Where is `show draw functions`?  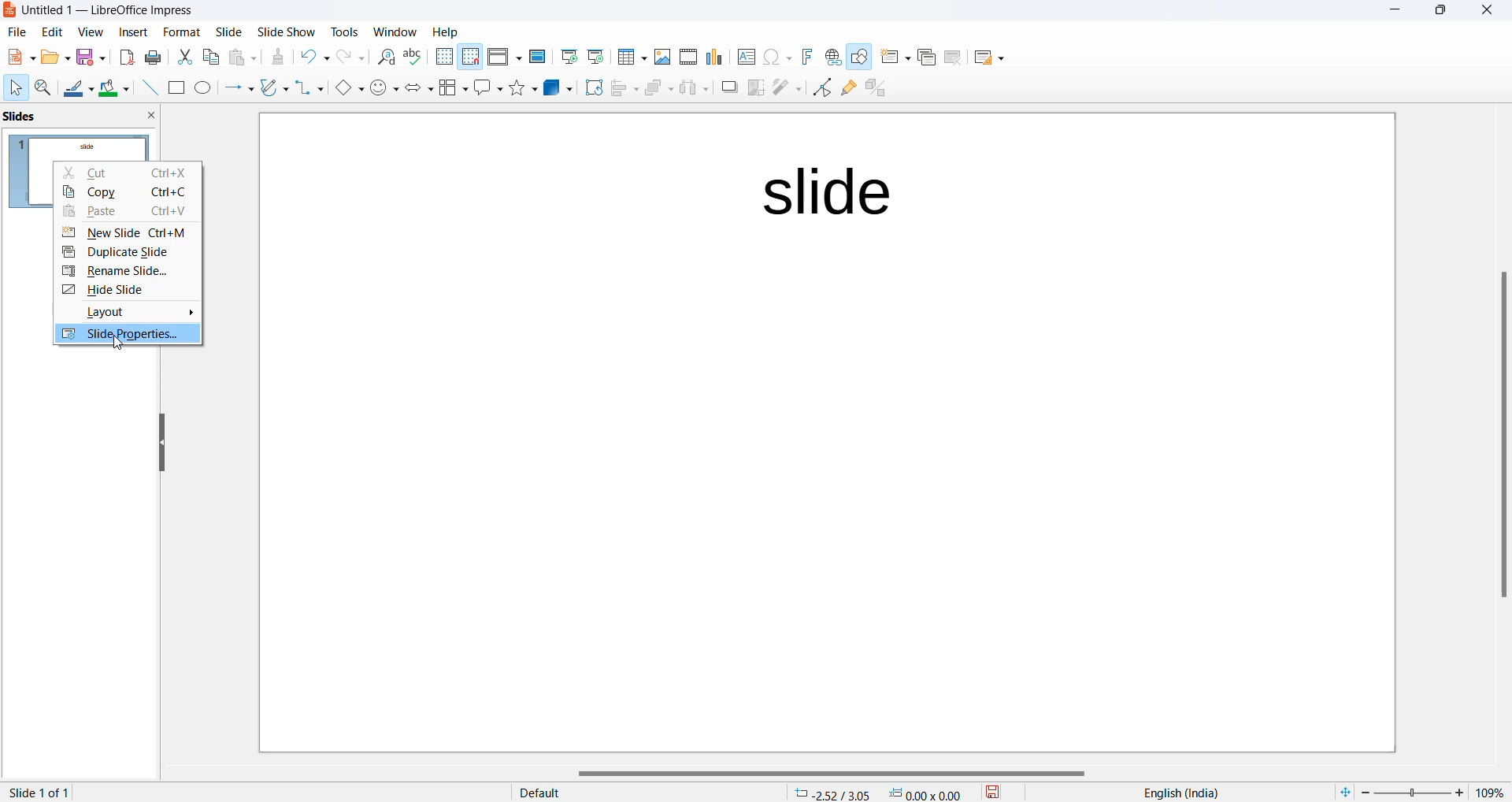 show draw functions is located at coordinates (862, 60).